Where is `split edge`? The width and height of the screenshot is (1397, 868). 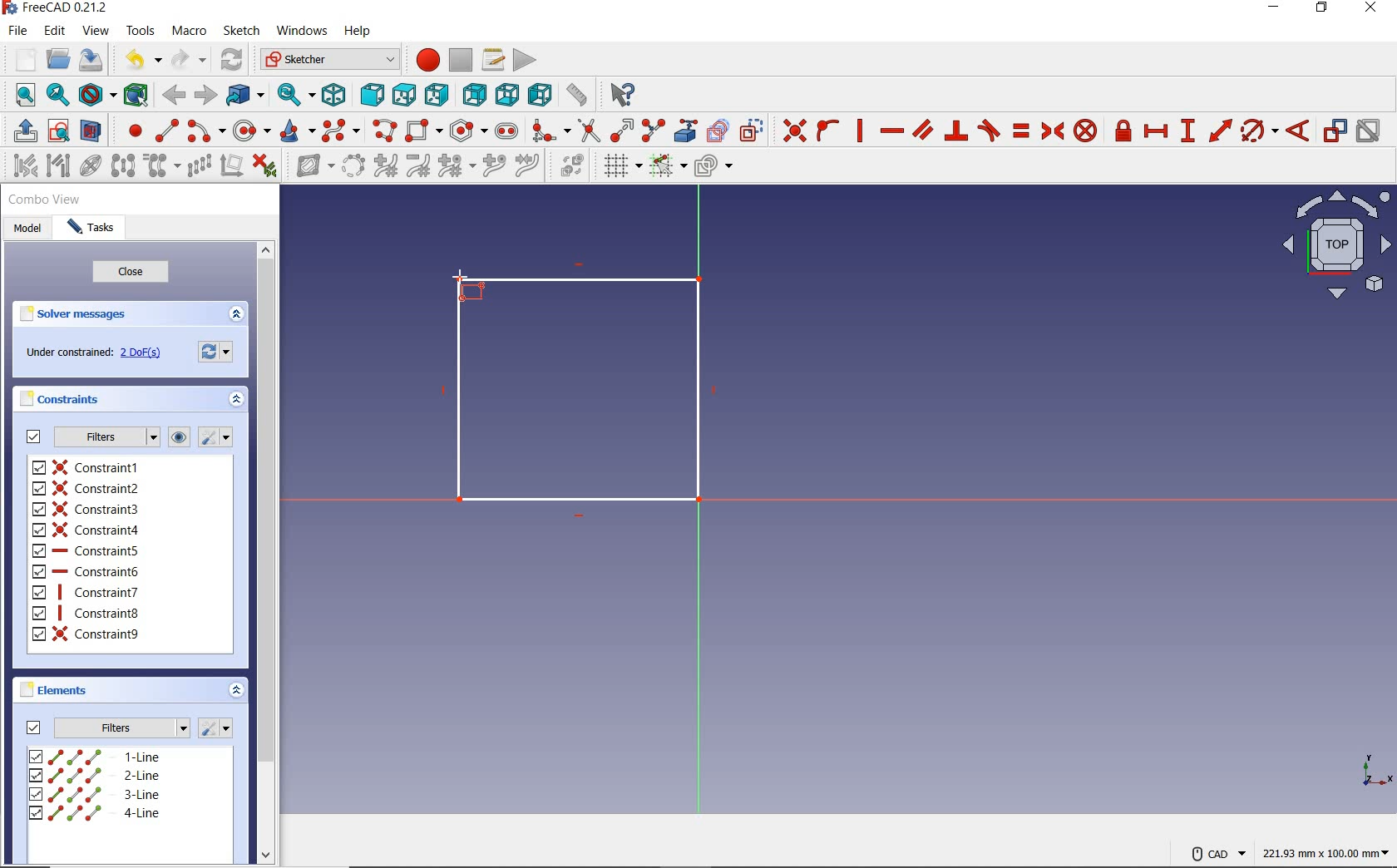 split edge is located at coordinates (654, 131).